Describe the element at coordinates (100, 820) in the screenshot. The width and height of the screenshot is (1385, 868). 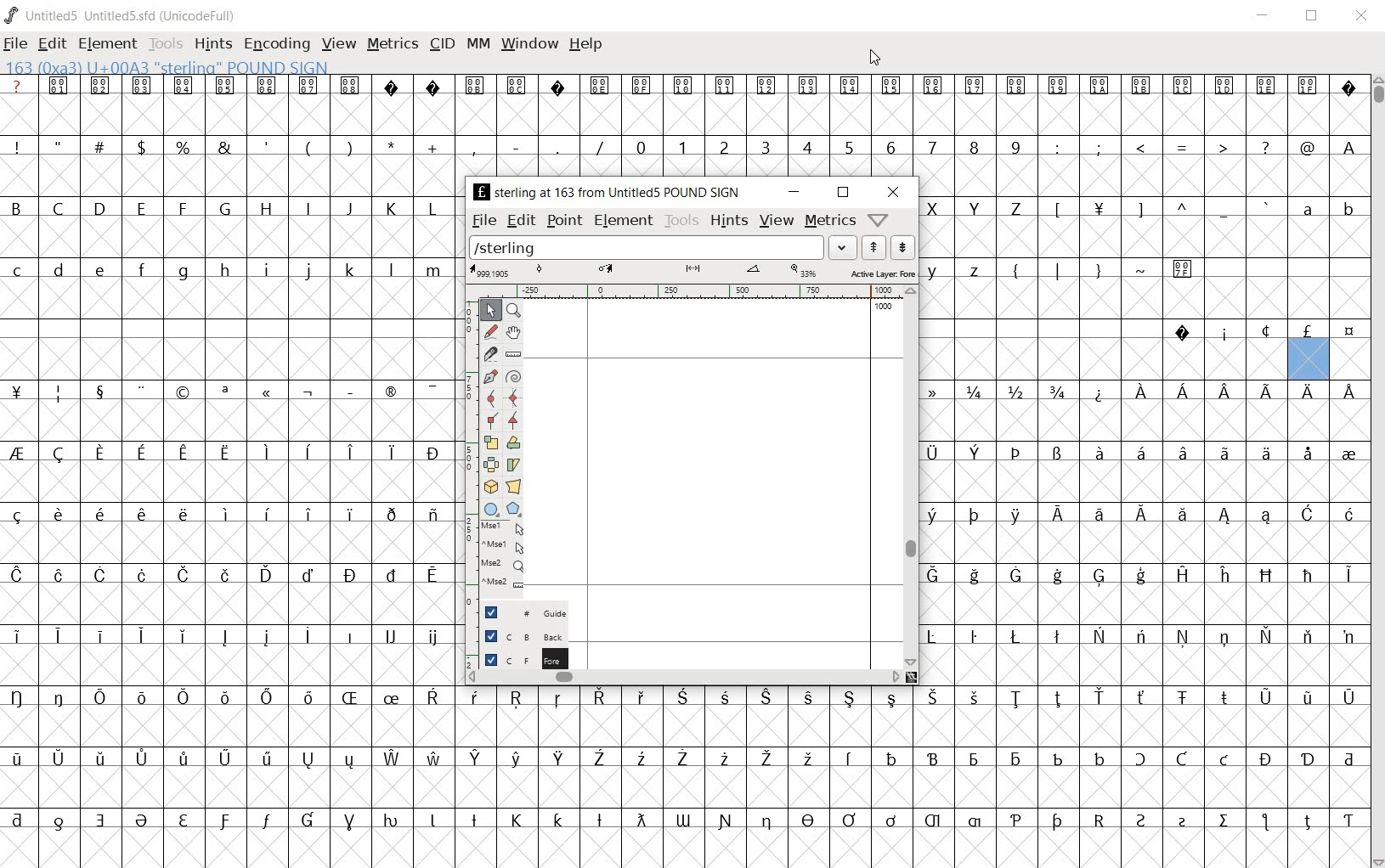
I see `Symbol` at that location.